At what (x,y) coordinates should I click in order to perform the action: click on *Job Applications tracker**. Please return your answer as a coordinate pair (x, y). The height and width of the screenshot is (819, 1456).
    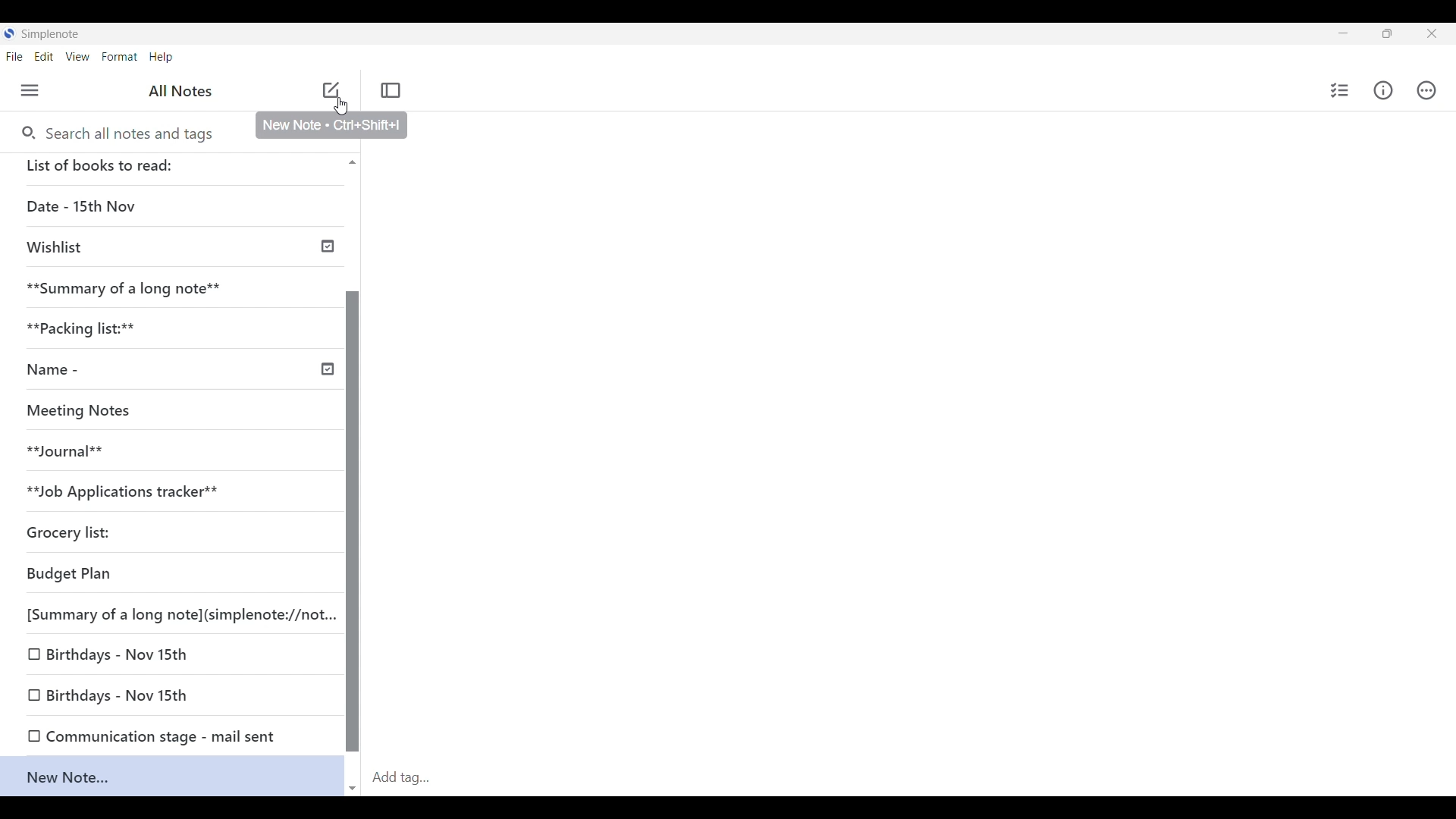
    Looking at the image, I should click on (141, 491).